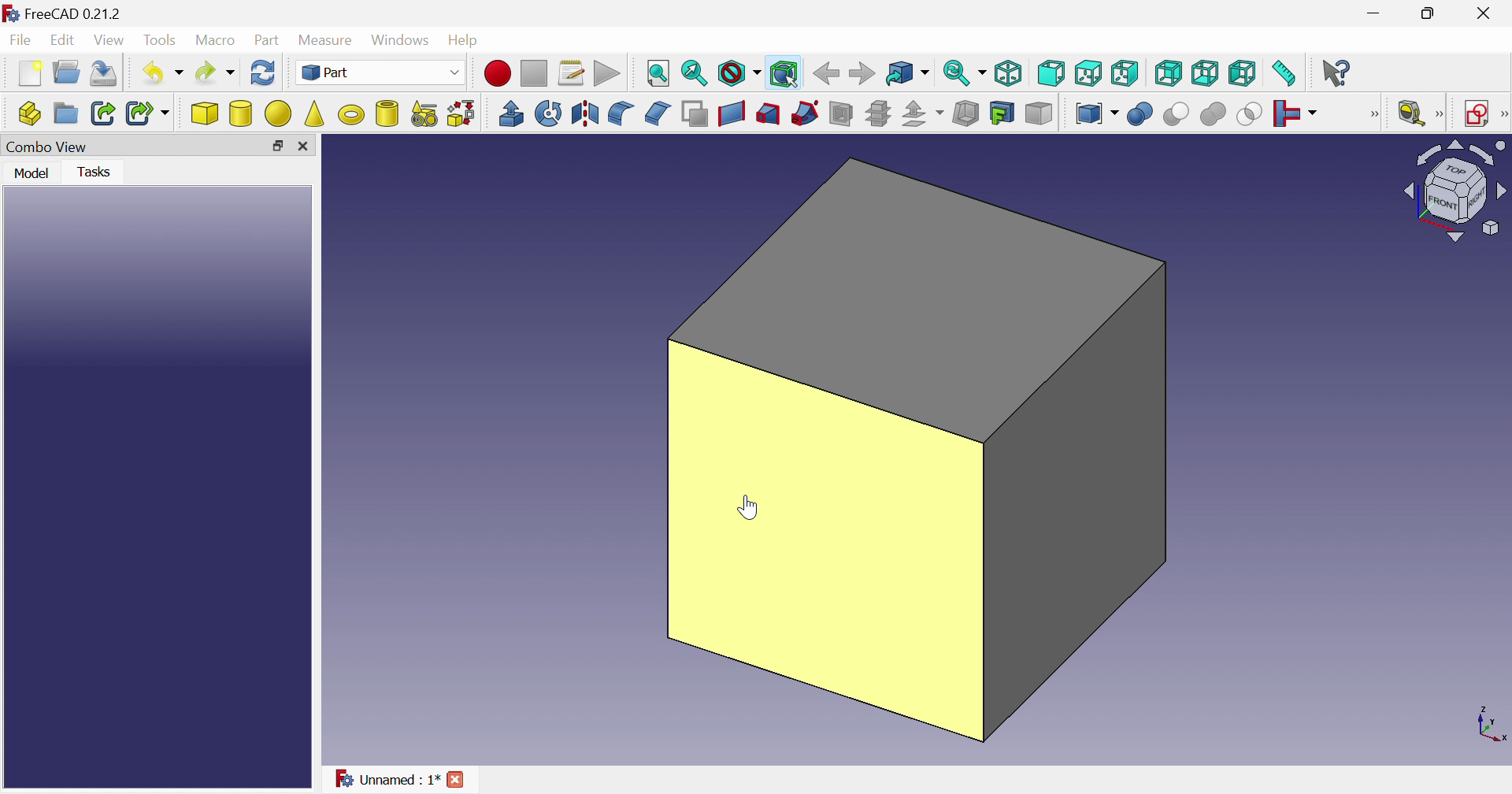 This screenshot has width=1512, height=794. Describe the element at coordinates (460, 113) in the screenshot. I see `Shape builder...` at that location.